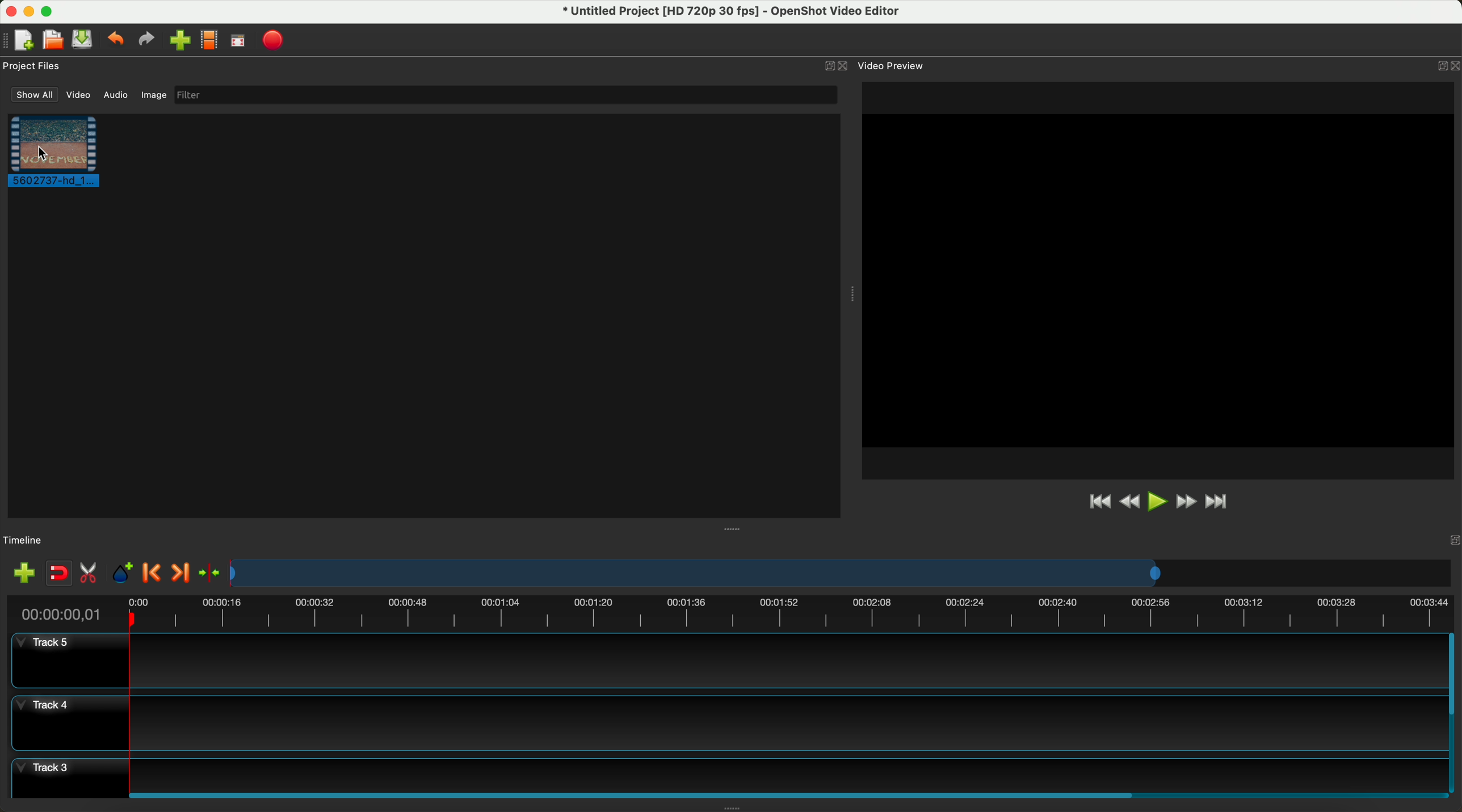  Describe the element at coordinates (184, 570) in the screenshot. I see `next marker` at that location.